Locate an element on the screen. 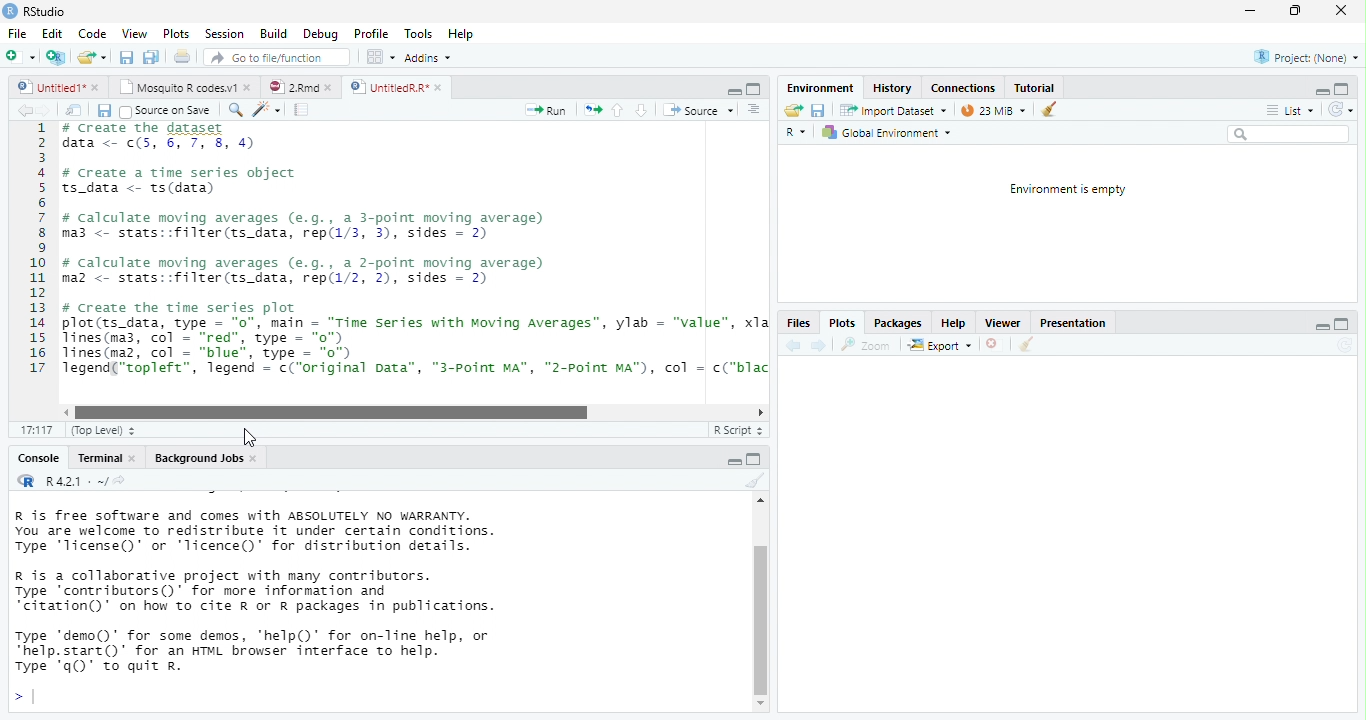 This screenshot has width=1366, height=720. close is located at coordinates (256, 459).